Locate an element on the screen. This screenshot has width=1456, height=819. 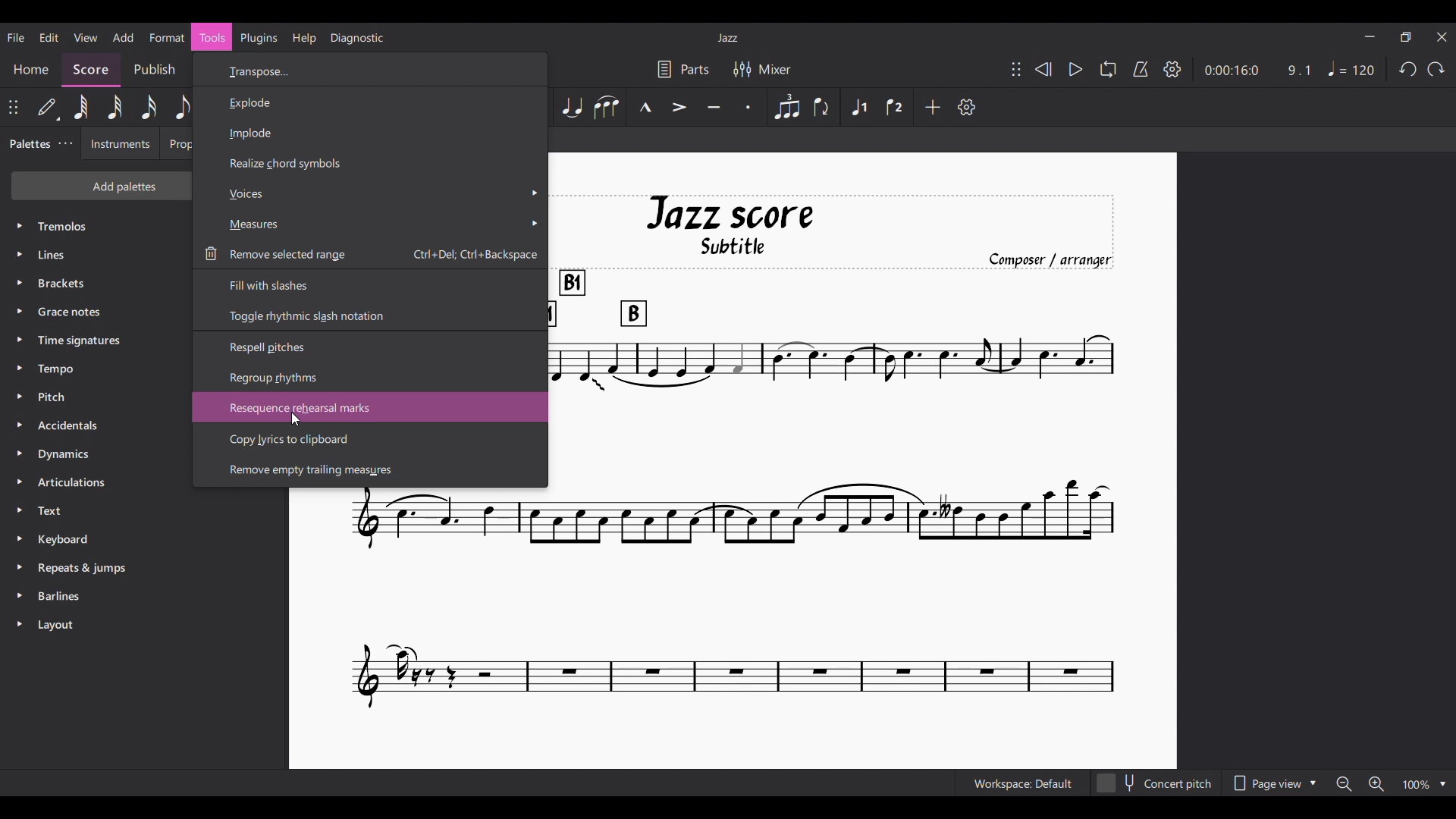
Marcato is located at coordinates (645, 107).